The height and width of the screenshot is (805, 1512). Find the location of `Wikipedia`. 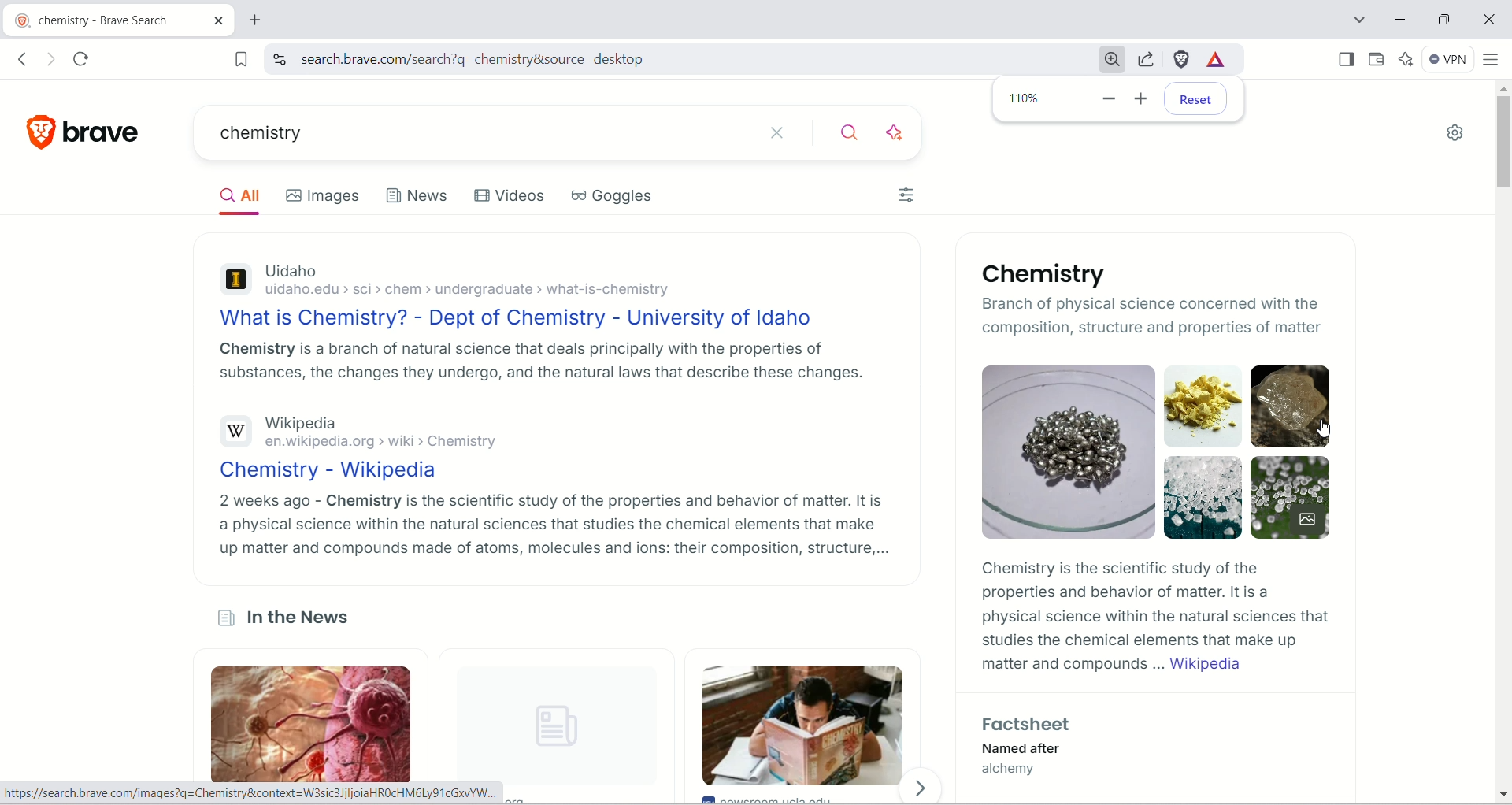

Wikipedia is located at coordinates (317, 421).